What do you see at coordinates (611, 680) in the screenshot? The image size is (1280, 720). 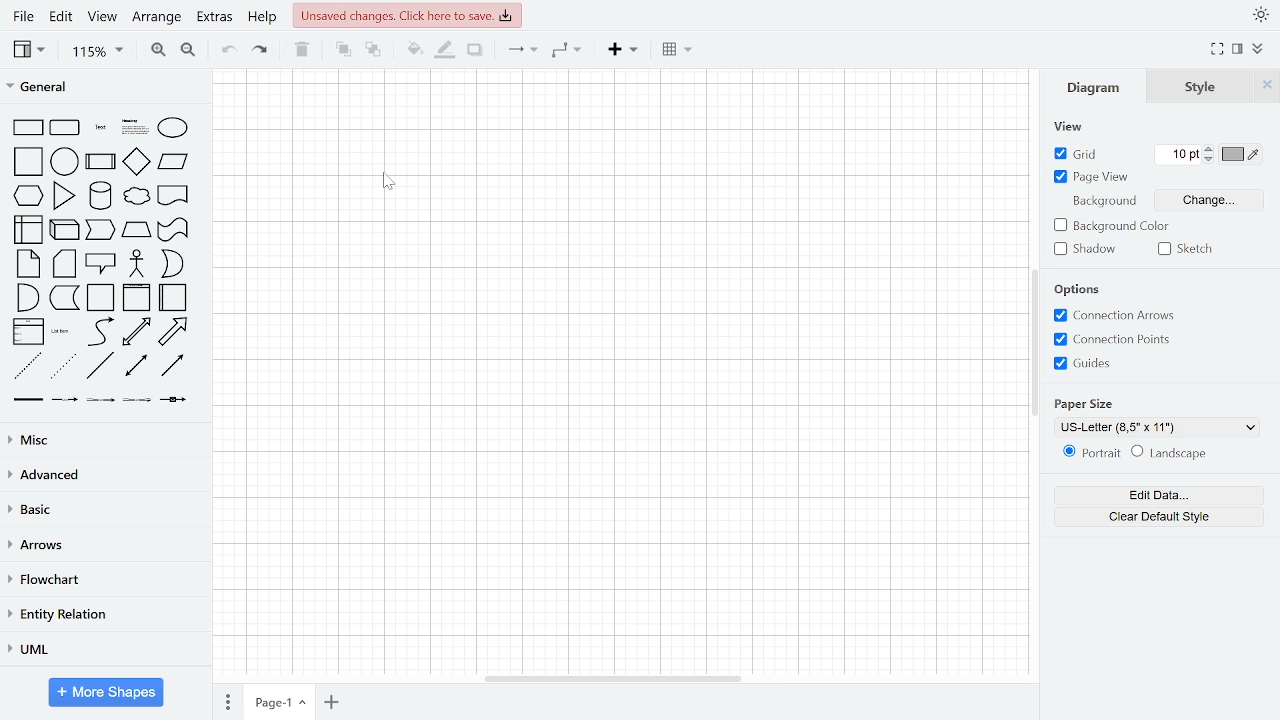 I see `horizontal scrollbar` at bounding box center [611, 680].